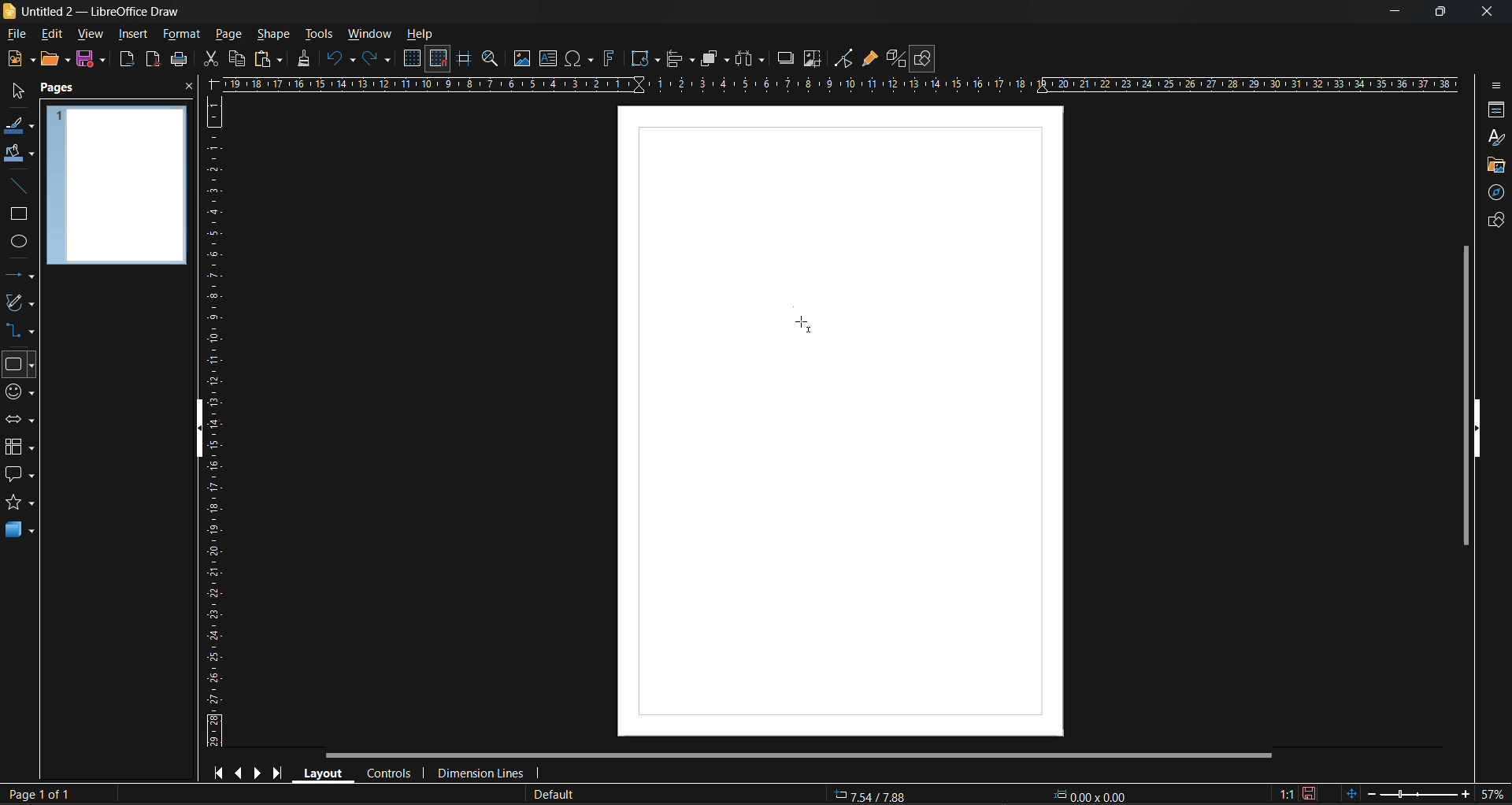 The width and height of the screenshot is (1512, 805). What do you see at coordinates (682, 61) in the screenshot?
I see `align objects` at bounding box center [682, 61].